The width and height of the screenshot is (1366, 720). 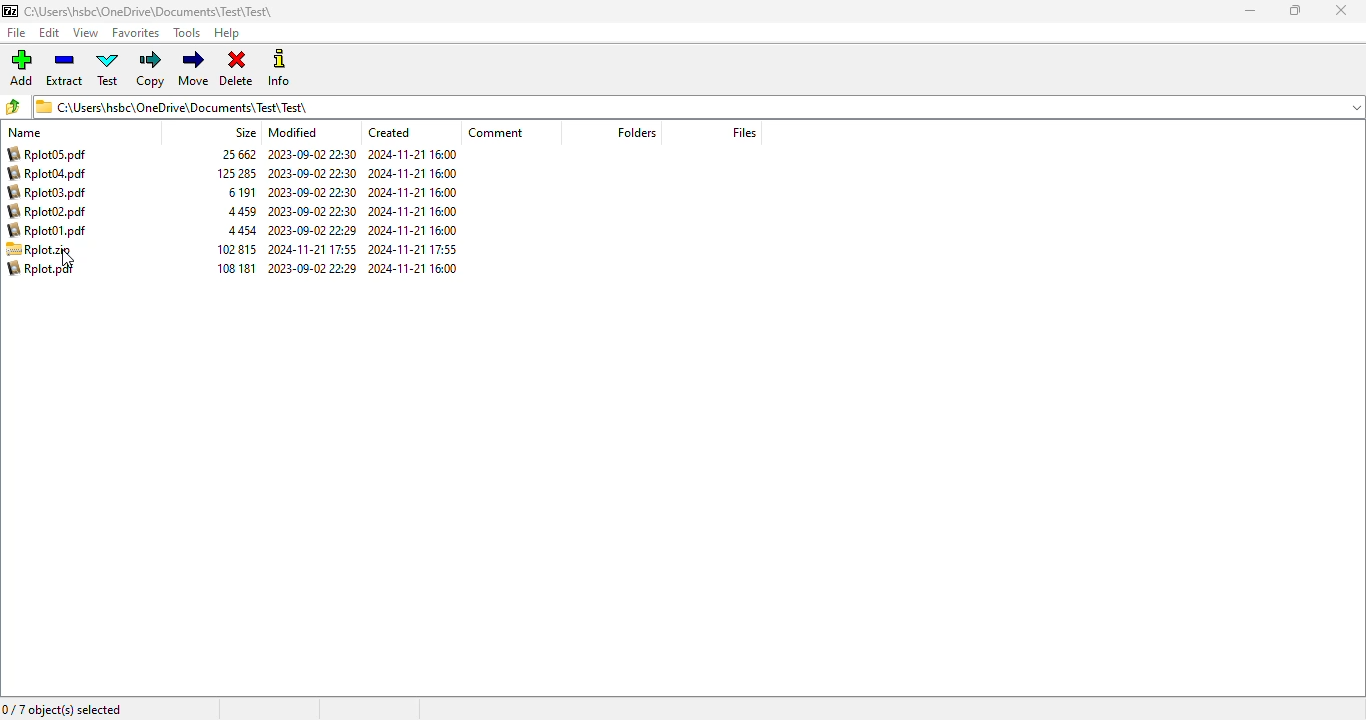 I want to click on 4 454, so click(x=241, y=232).